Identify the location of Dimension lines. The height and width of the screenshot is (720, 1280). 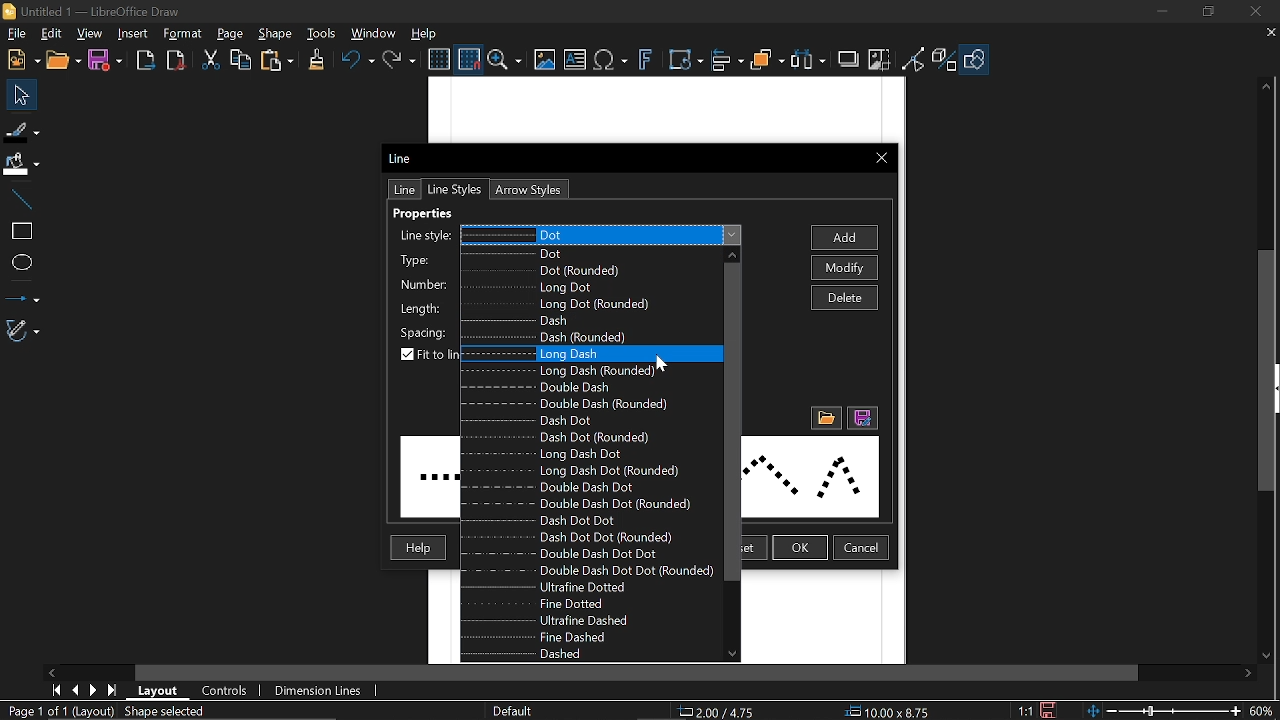
(319, 690).